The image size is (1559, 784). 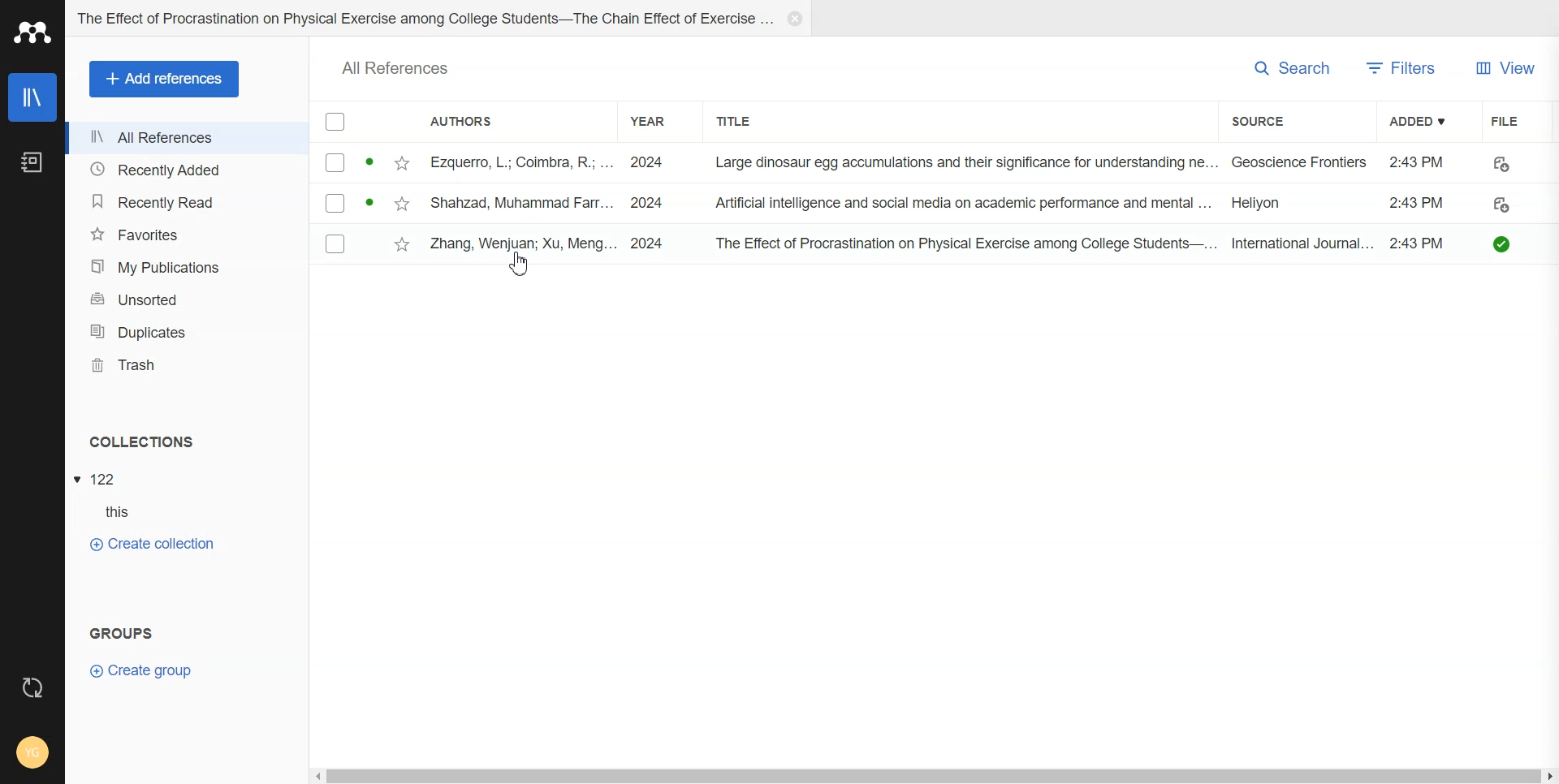 What do you see at coordinates (520, 265) in the screenshot?
I see `Cursor` at bounding box center [520, 265].